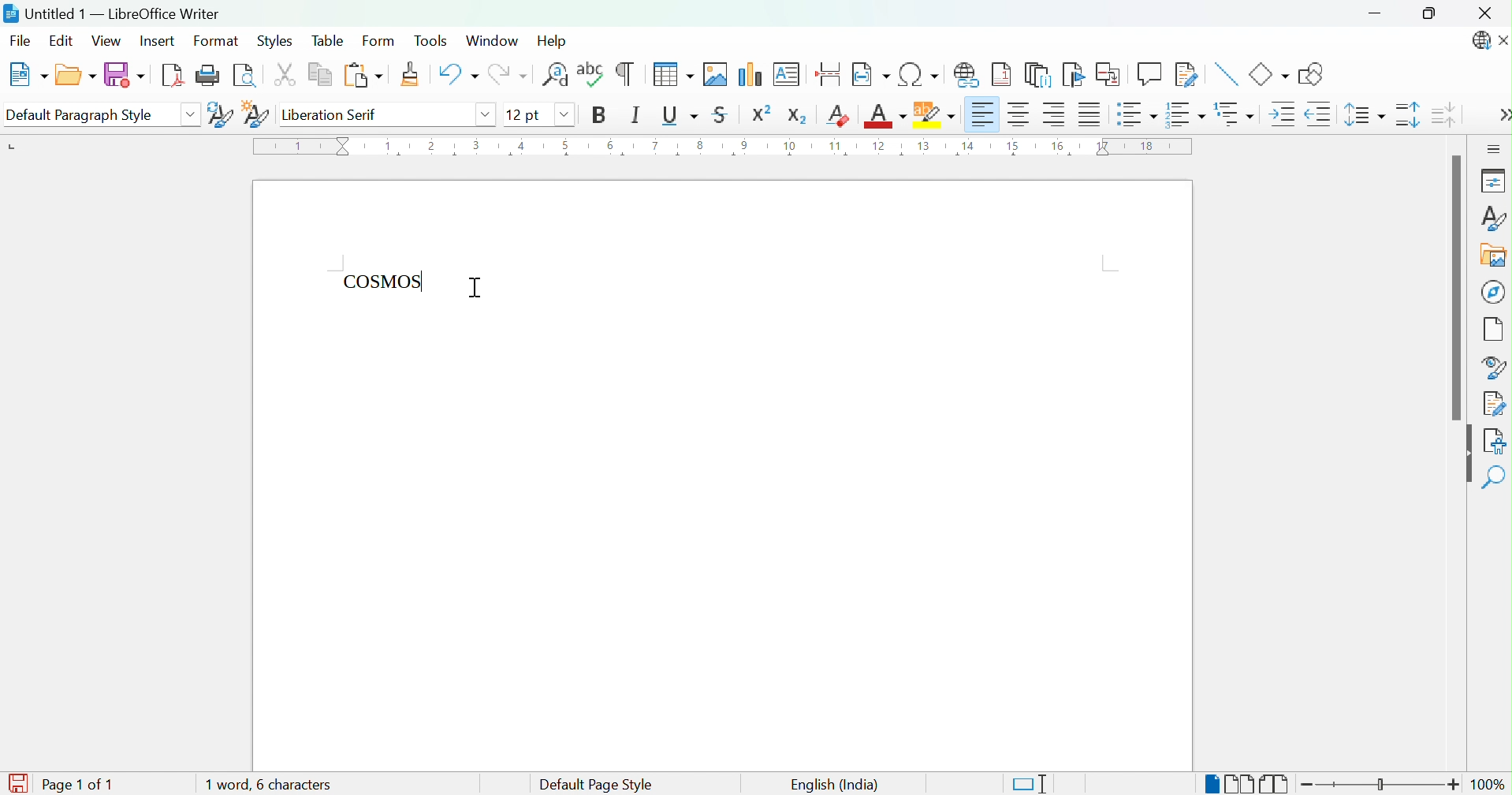 This screenshot has height=795, width=1512. I want to click on Align Center, so click(1020, 114).